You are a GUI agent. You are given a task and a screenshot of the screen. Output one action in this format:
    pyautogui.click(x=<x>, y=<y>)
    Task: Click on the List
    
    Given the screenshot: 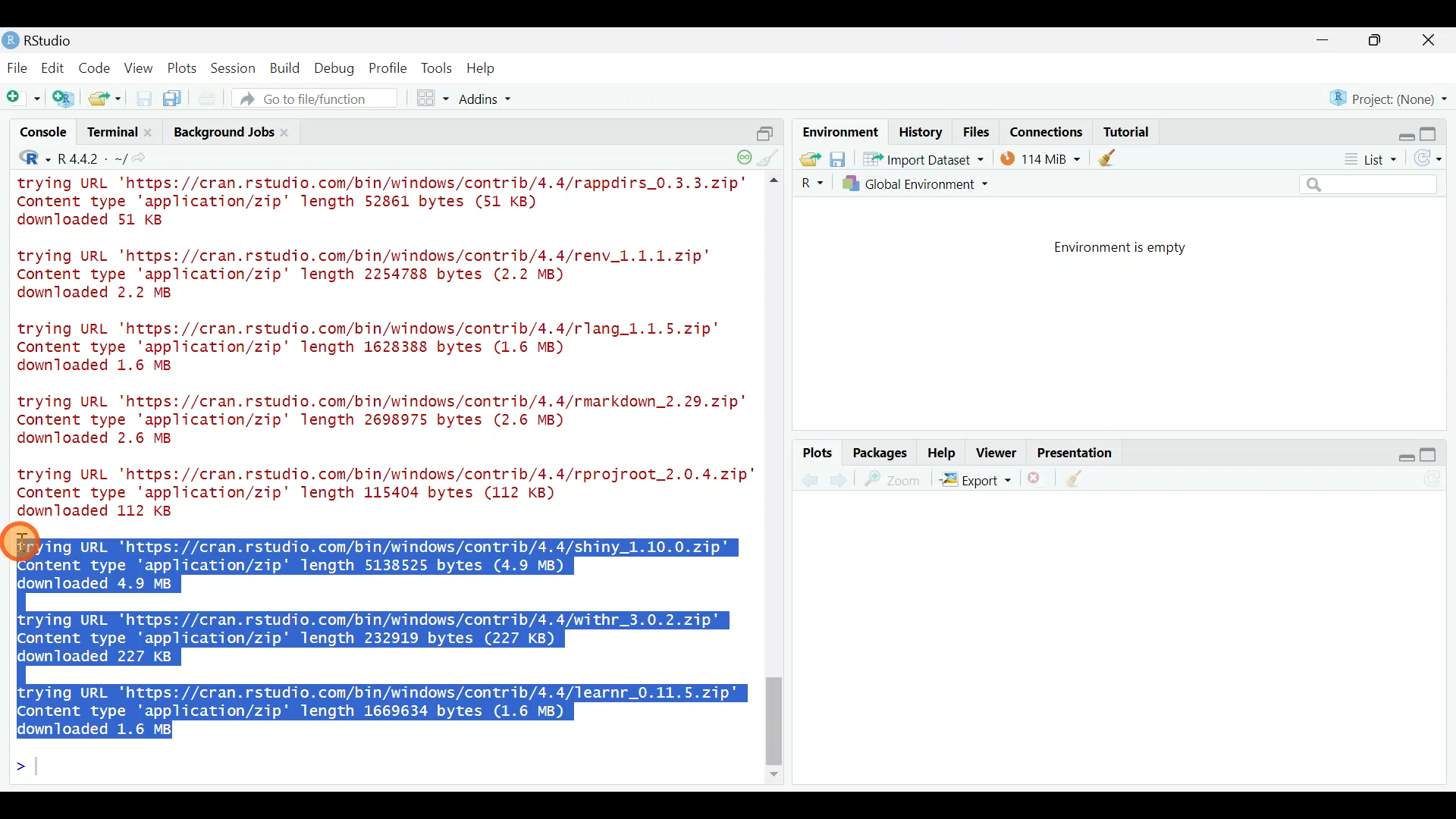 What is the action you would take?
    pyautogui.click(x=1369, y=160)
    